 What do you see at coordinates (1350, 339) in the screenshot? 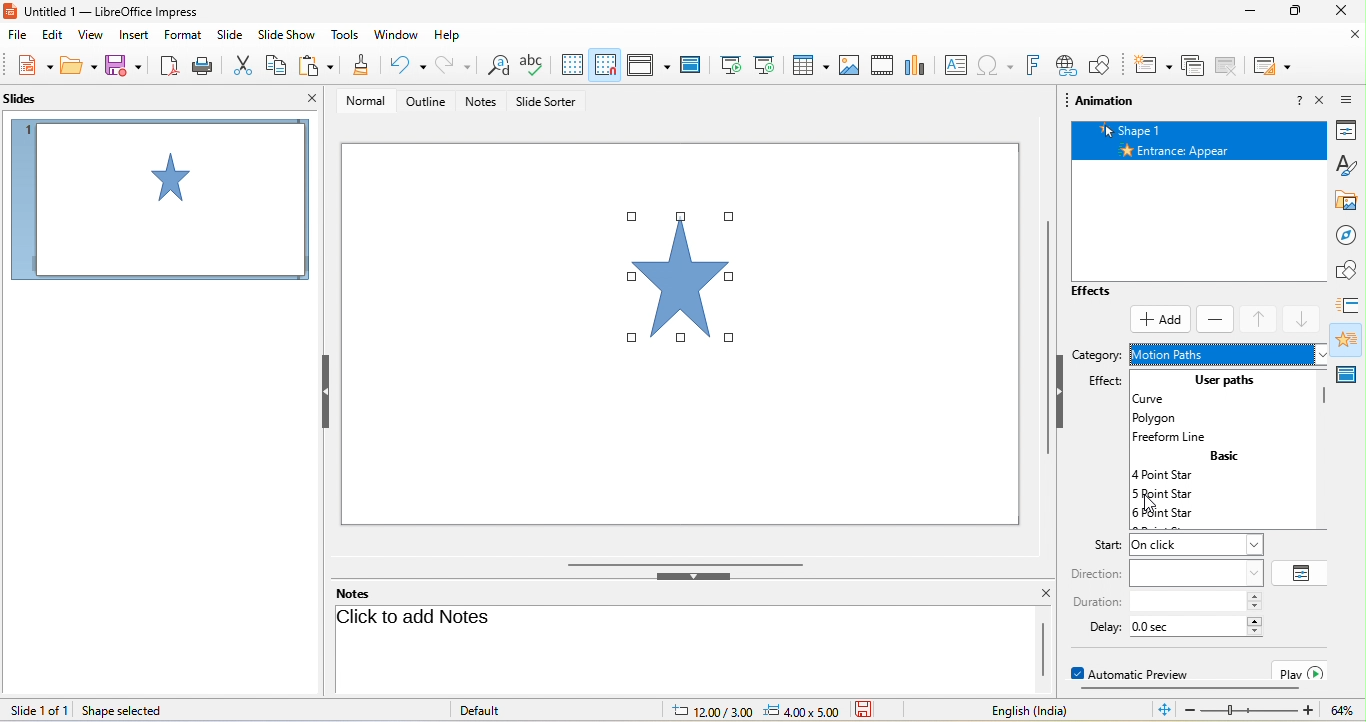
I see `animation` at bounding box center [1350, 339].